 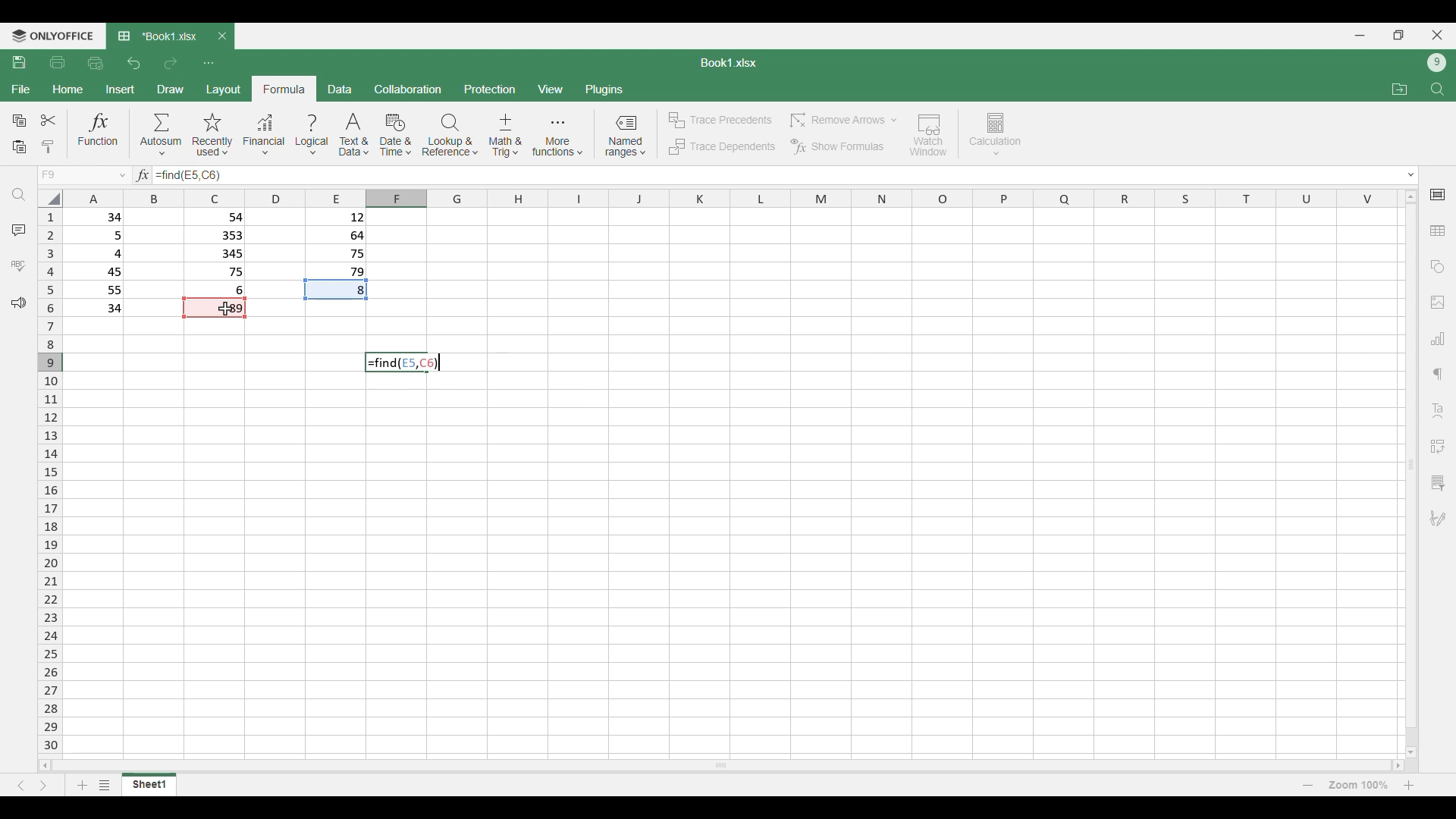 What do you see at coordinates (337, 290) in the screenshot?
I see `Indicates cell has been used in function` at bounding box center [337, 290].